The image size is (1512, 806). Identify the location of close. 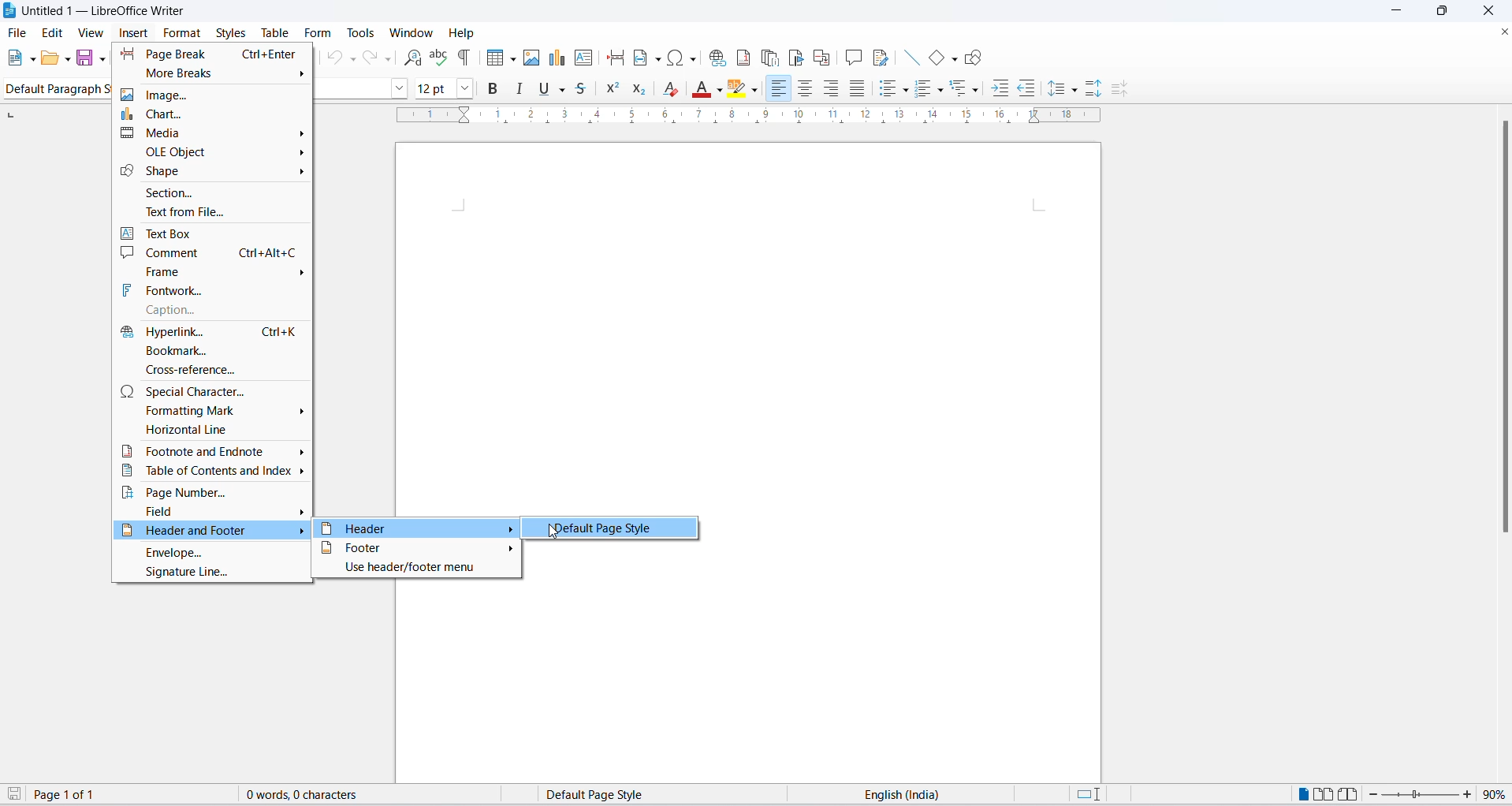
(1503, 29).